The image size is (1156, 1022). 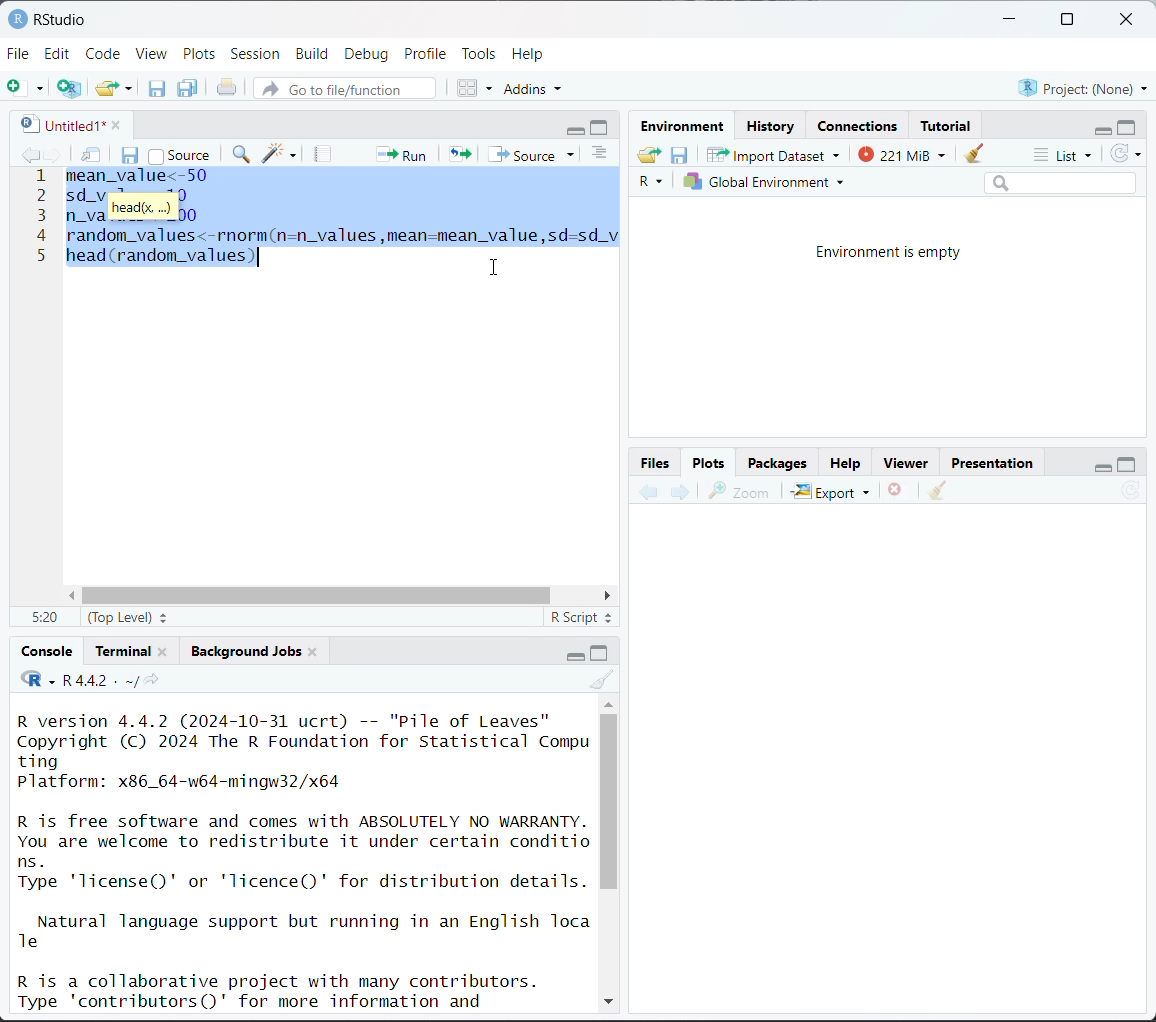 What do you see at coordinates (399, 153) in the screenshot?
I see `run` at bounding box center [399, 153].